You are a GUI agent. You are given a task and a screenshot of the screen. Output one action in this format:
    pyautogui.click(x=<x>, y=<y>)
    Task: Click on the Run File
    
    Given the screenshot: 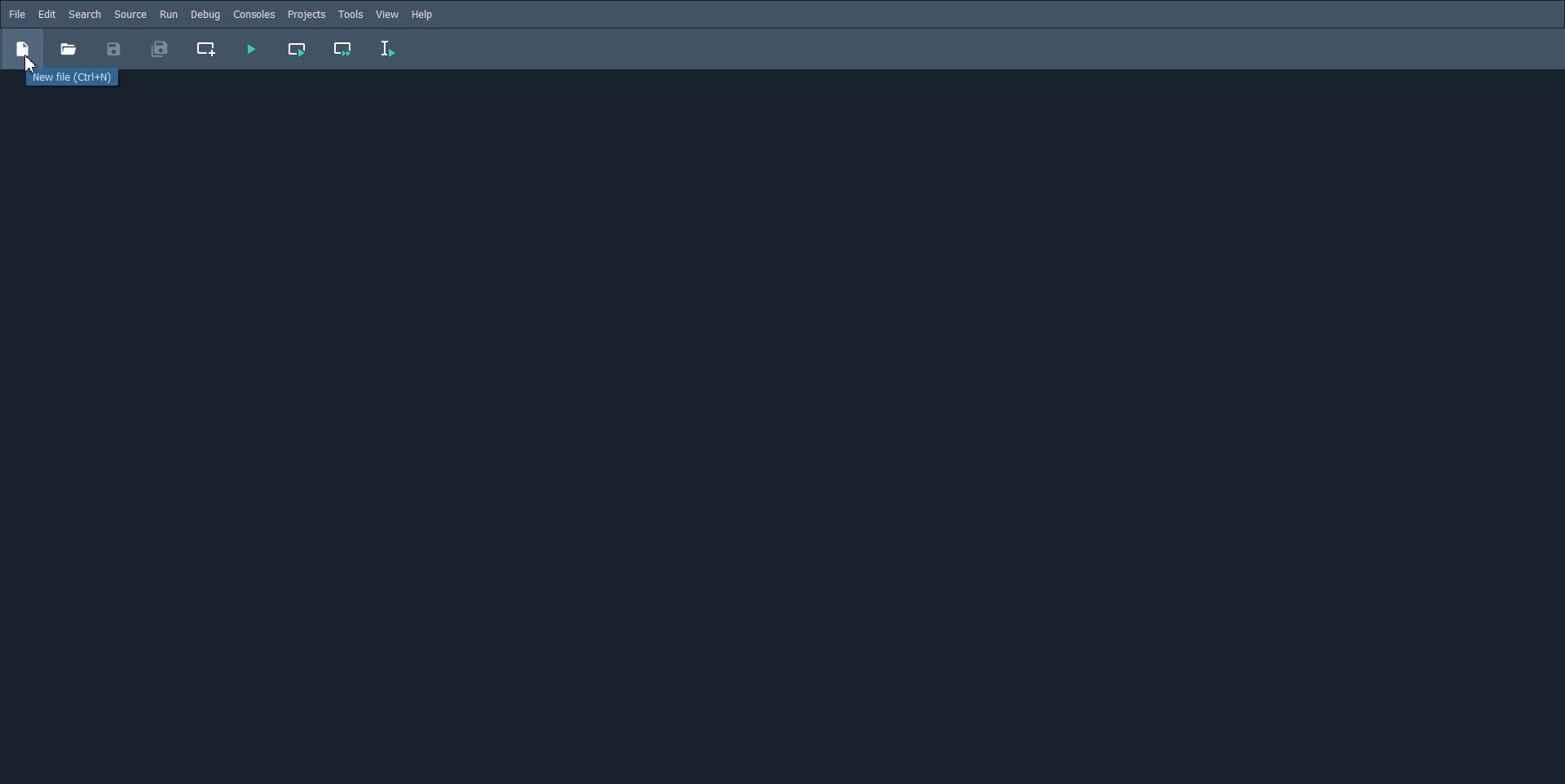 What is the action you would take?
    pyautogui.click(x=251, y=49)
    